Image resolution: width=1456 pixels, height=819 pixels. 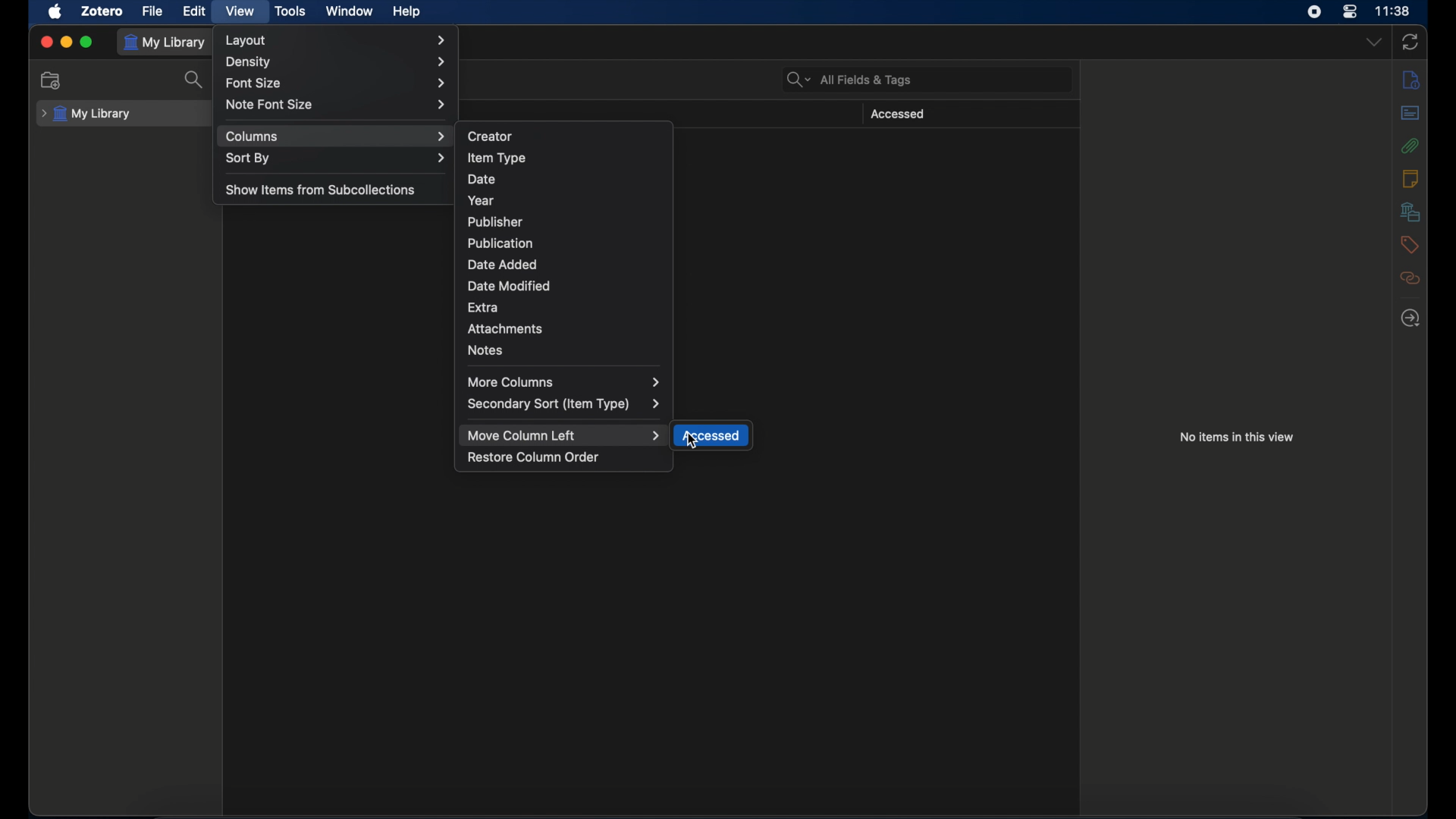 What do you see at coordinates (897, 115) in the screenshot?
I see `accessed` at bounding box center [897, 115].